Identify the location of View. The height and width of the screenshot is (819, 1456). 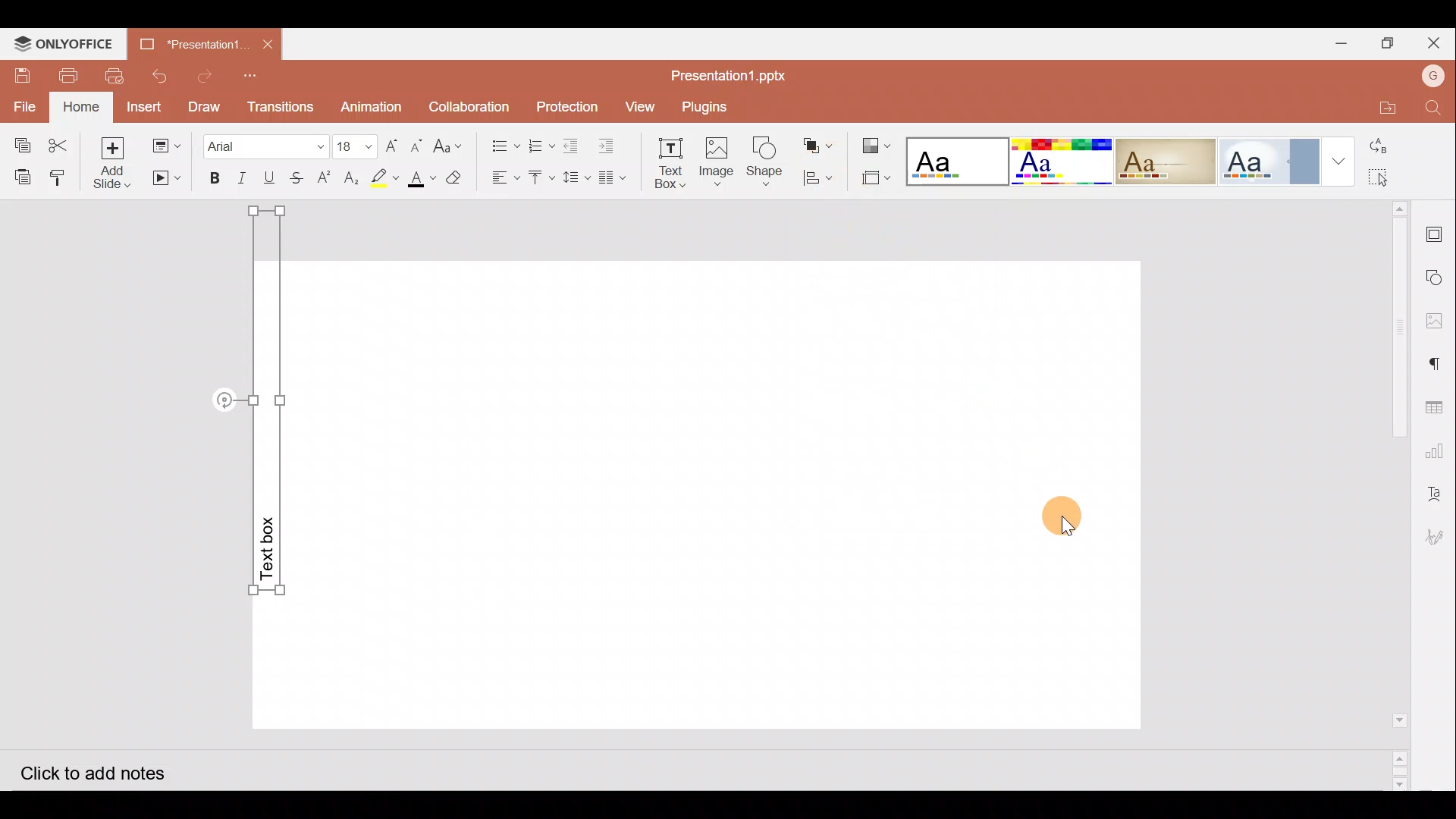
(639, 105).